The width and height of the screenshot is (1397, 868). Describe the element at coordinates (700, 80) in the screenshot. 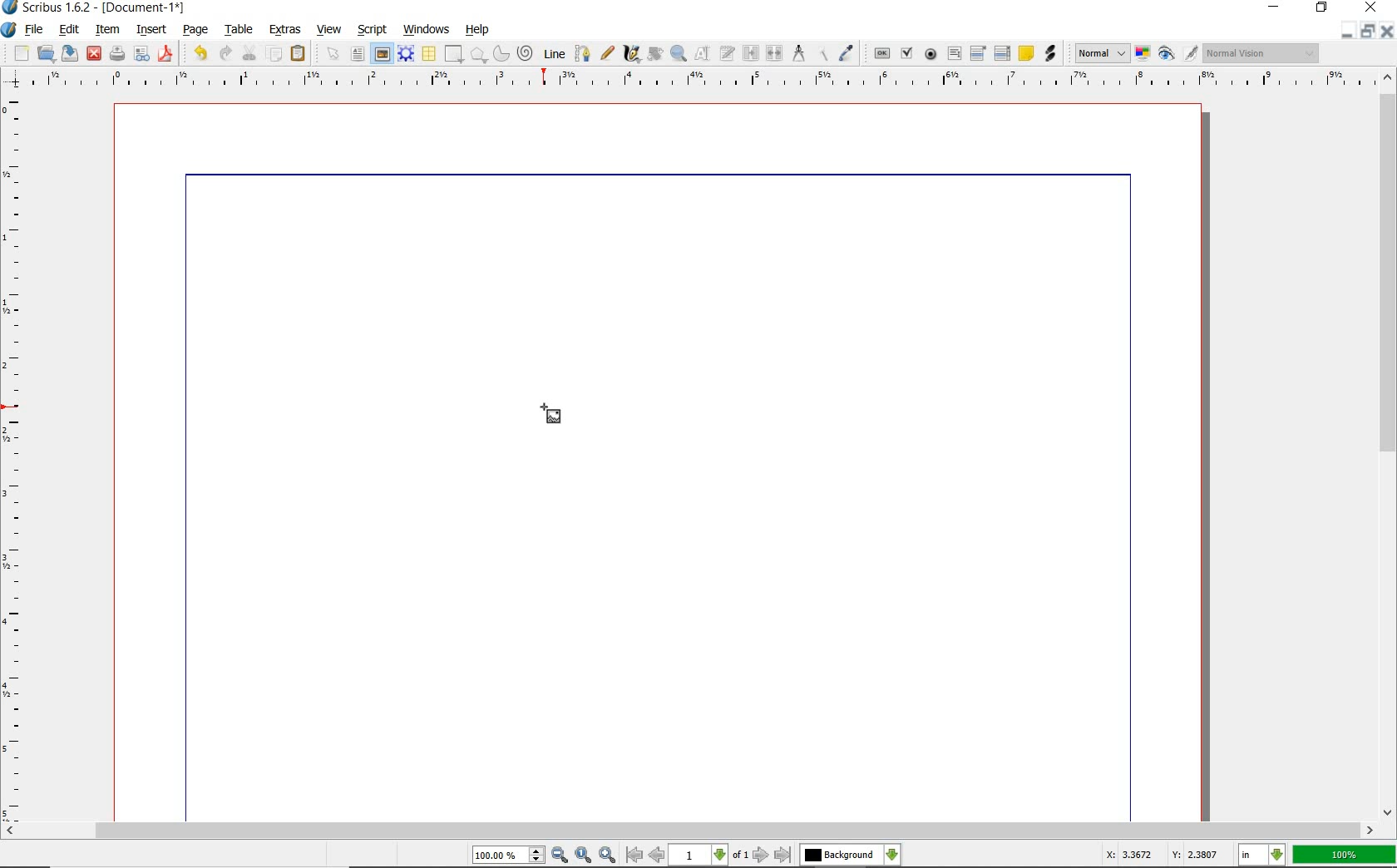

I see `Horizontal Margin` at that location.